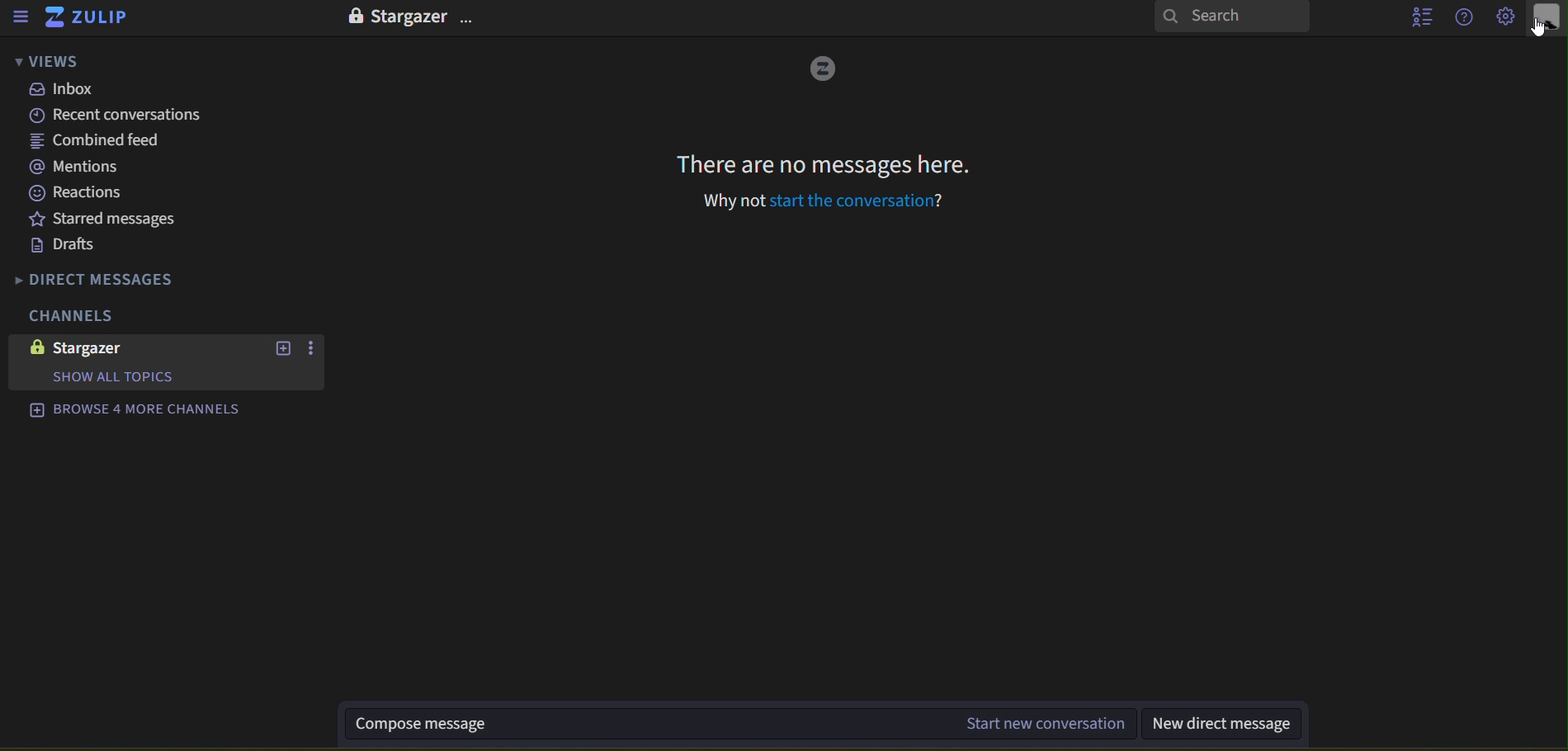 This screenshot has height=751, width=1568. Describe the element at coordinates (732, 200) in the screenshot. I see `Why not` at that location.